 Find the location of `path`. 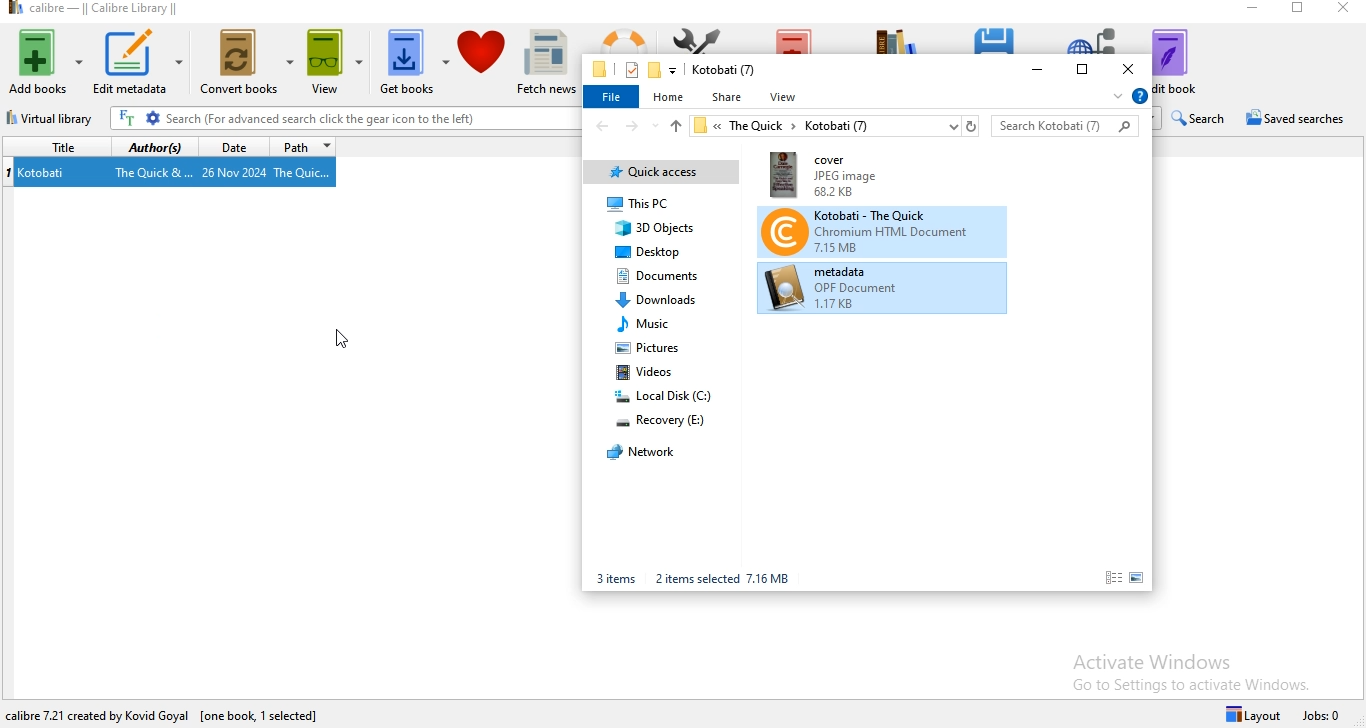

path is located at coordinates (306, 147).